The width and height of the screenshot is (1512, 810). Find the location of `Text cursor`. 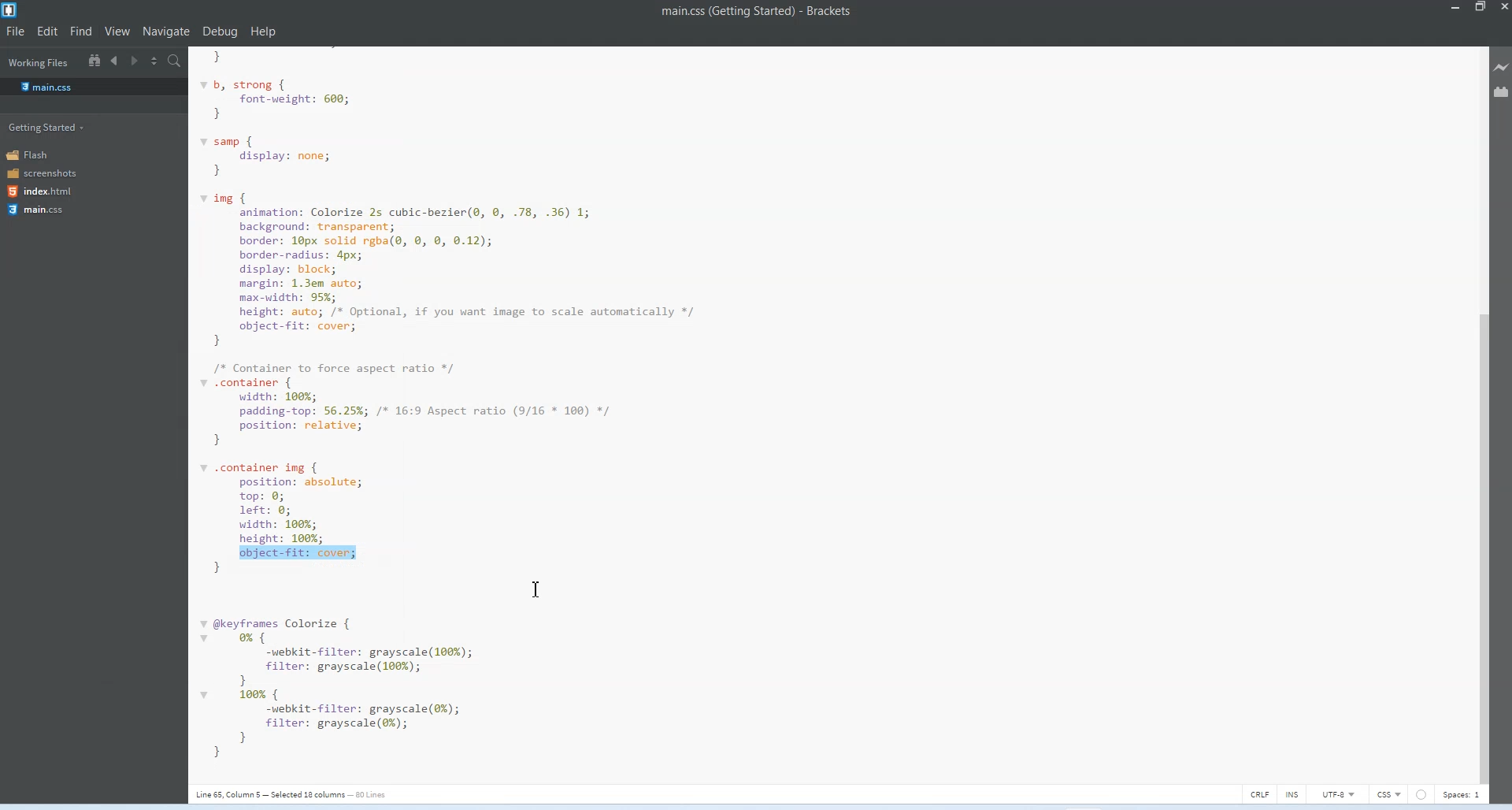

Text cursor is located at coordinates (535, 589).